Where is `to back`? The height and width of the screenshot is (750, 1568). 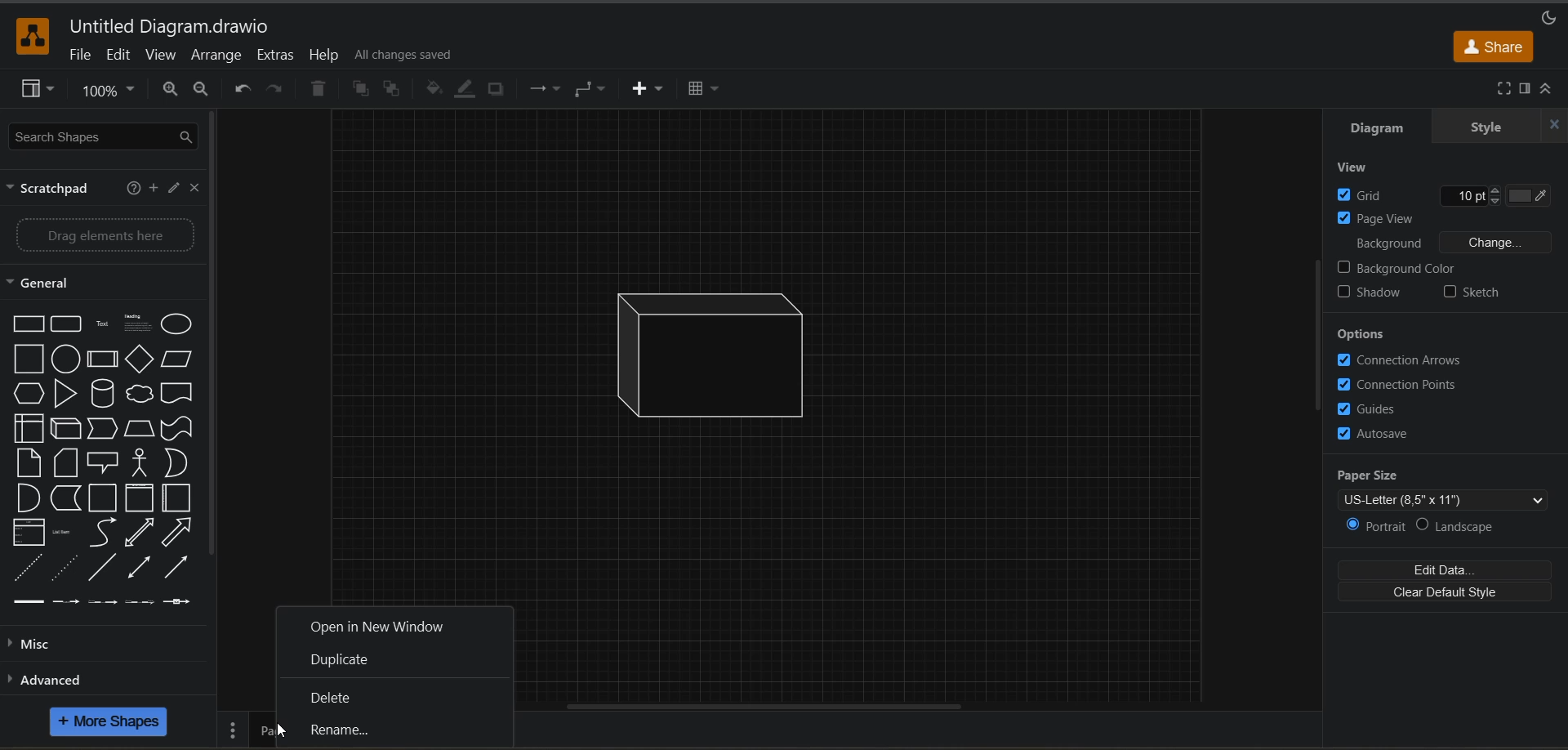 to back is located at coordinates (394, 90).